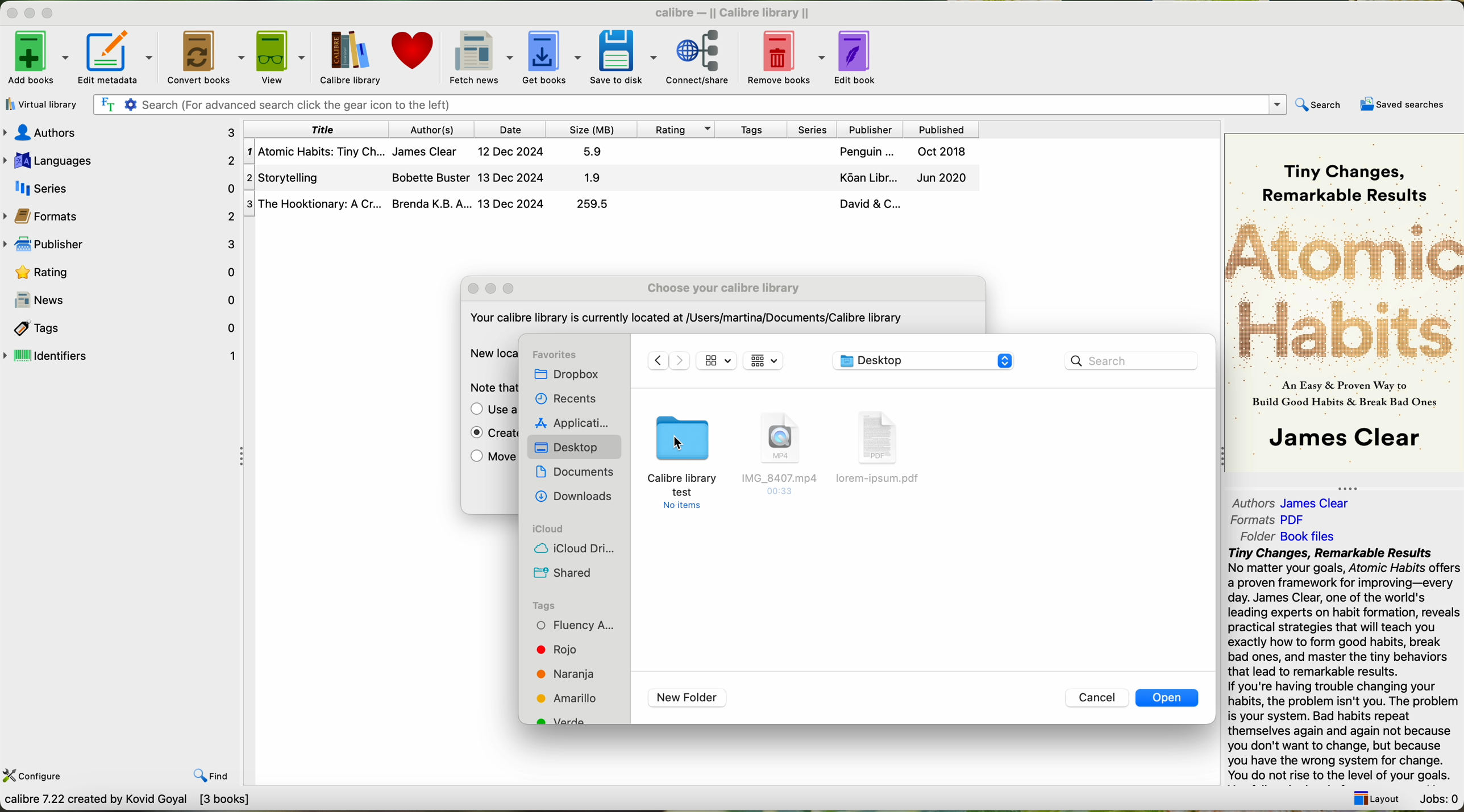  What do you see at coordinates (39, 104) in the screenshot?
I see `virtual library` at bounding box center [39, 104].